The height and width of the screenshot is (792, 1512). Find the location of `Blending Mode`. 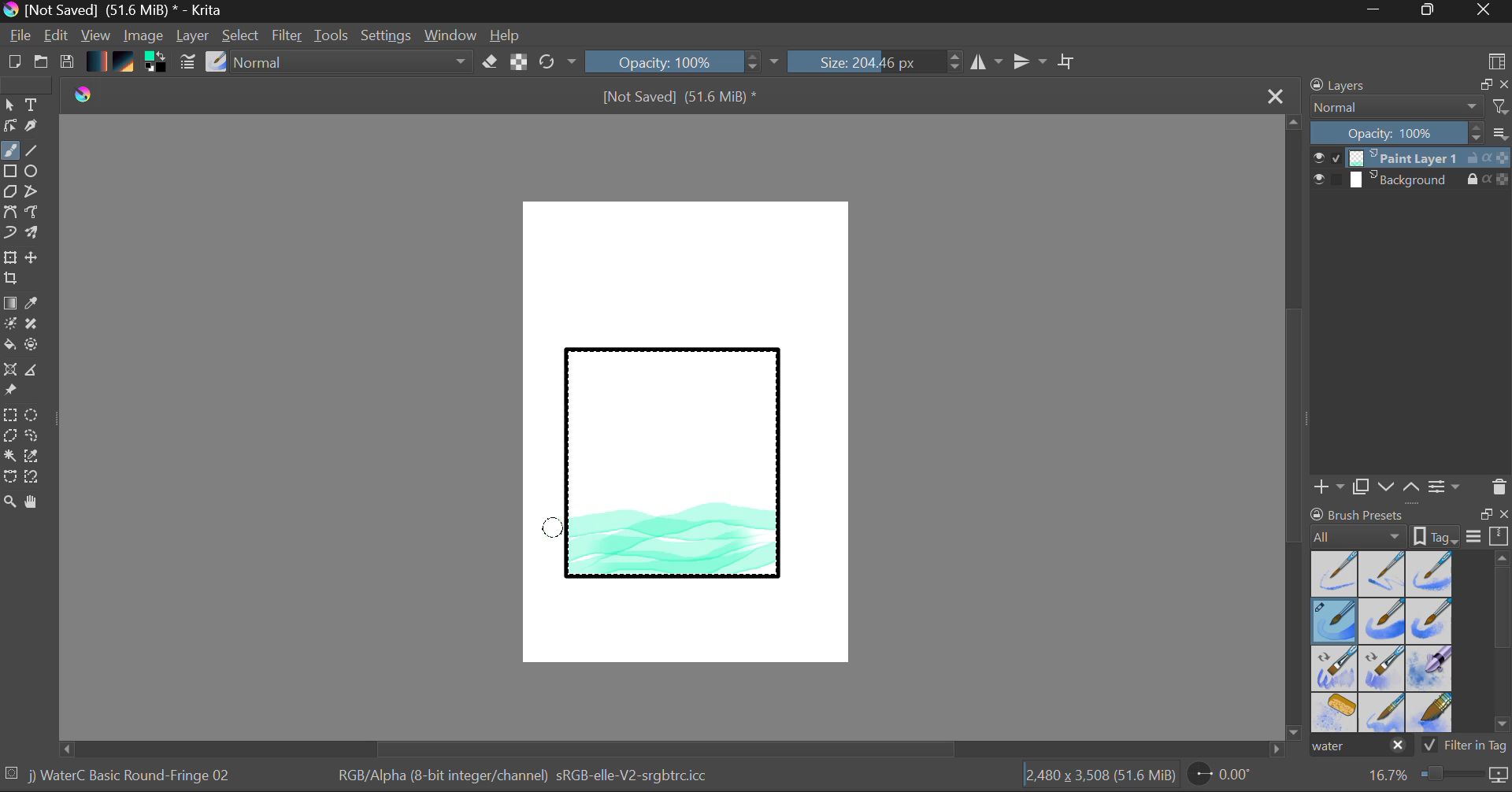

Blending Mode is located at coordinates (1410, 107).